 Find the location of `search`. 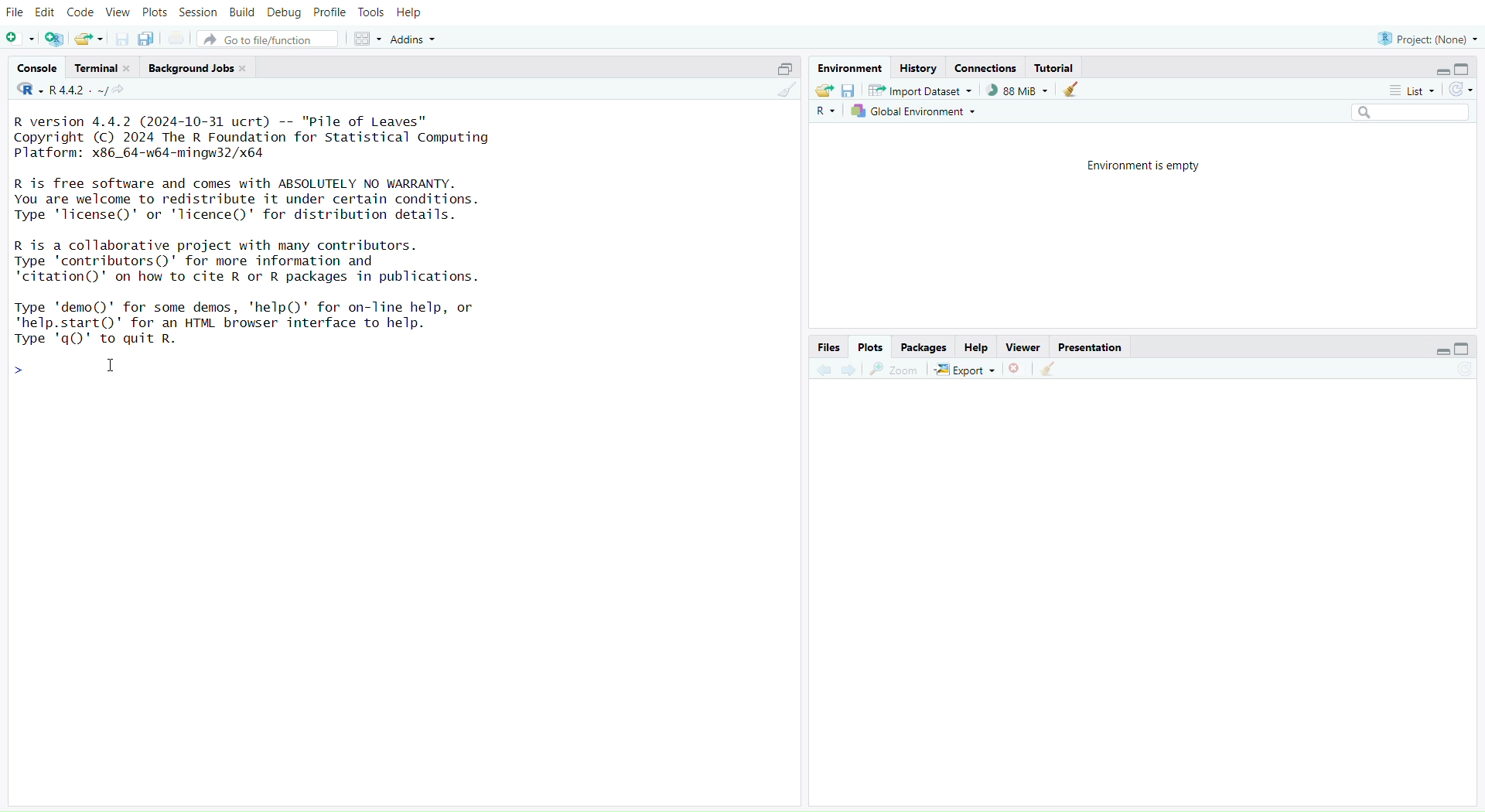

search is located at coordinates (1405, 112).